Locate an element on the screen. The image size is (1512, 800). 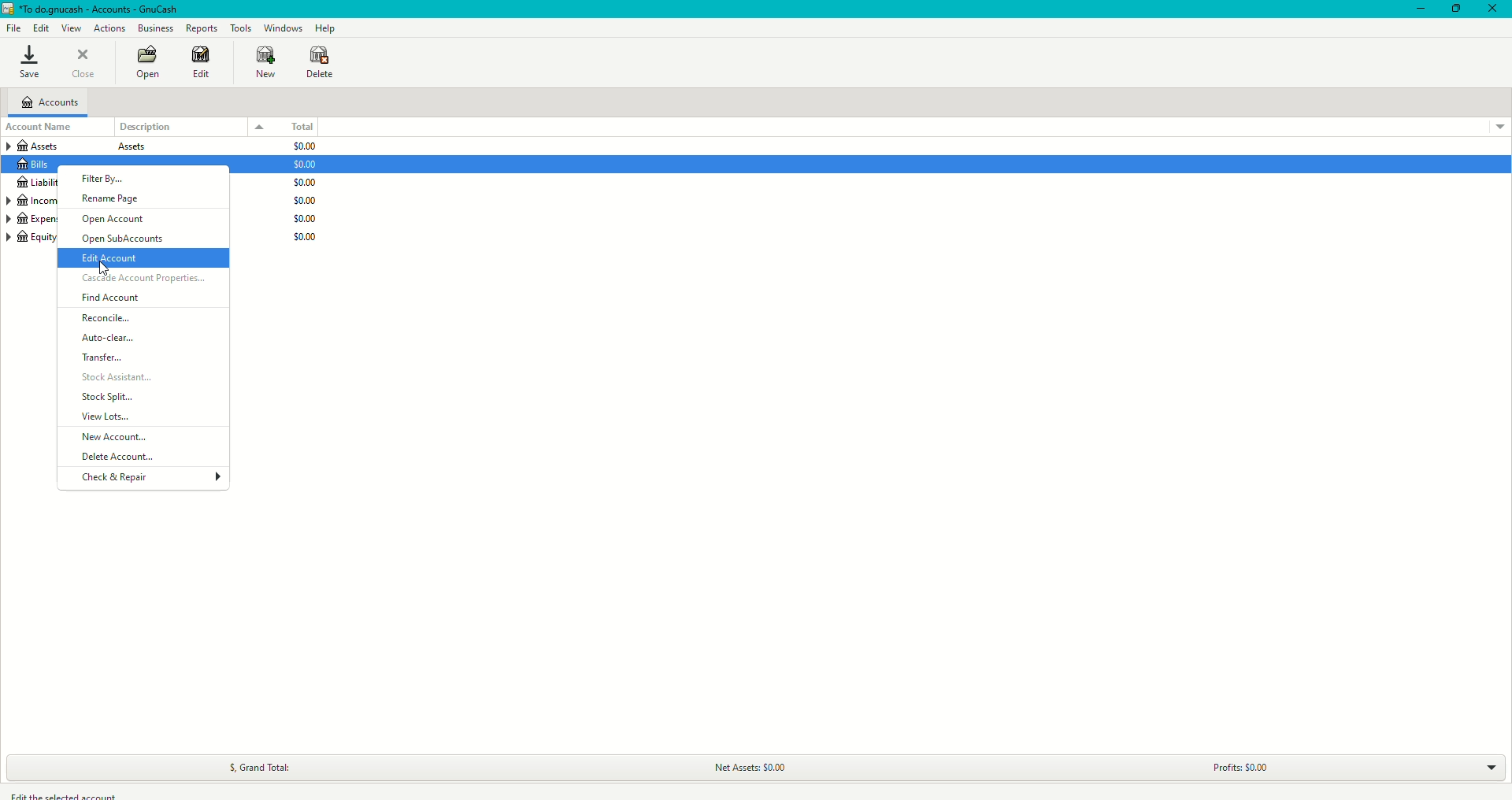
Cascade Account Properties is located at coordinates (143, 281).